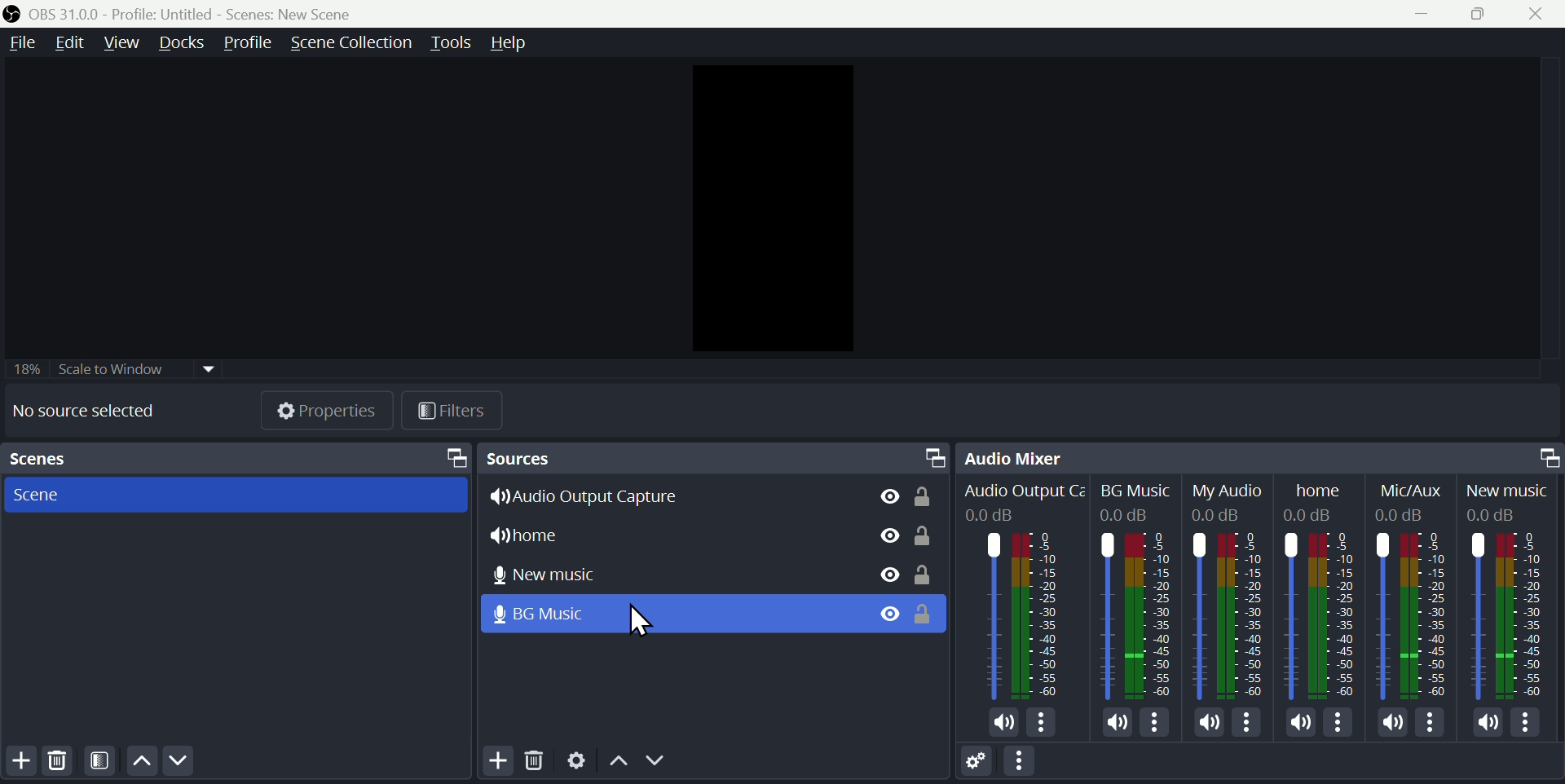 The height and width of the screenshot is (784, 1565). What do you see at coordinates (452, 456) in the screenshot?
I see `maximize` at bounding box center [452, 456].